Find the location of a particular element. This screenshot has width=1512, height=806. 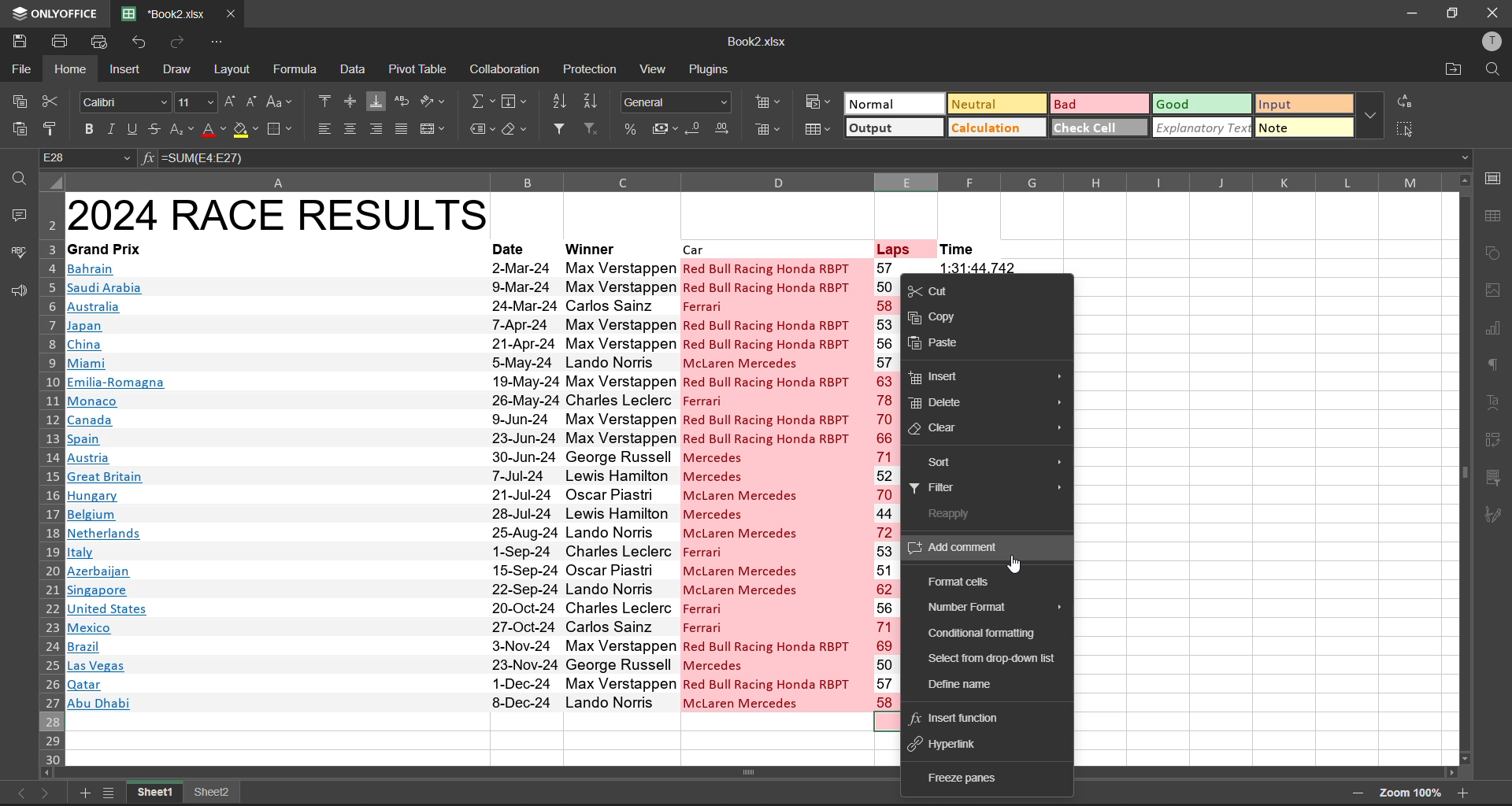

clear filter is located at coordinates (589, 128).